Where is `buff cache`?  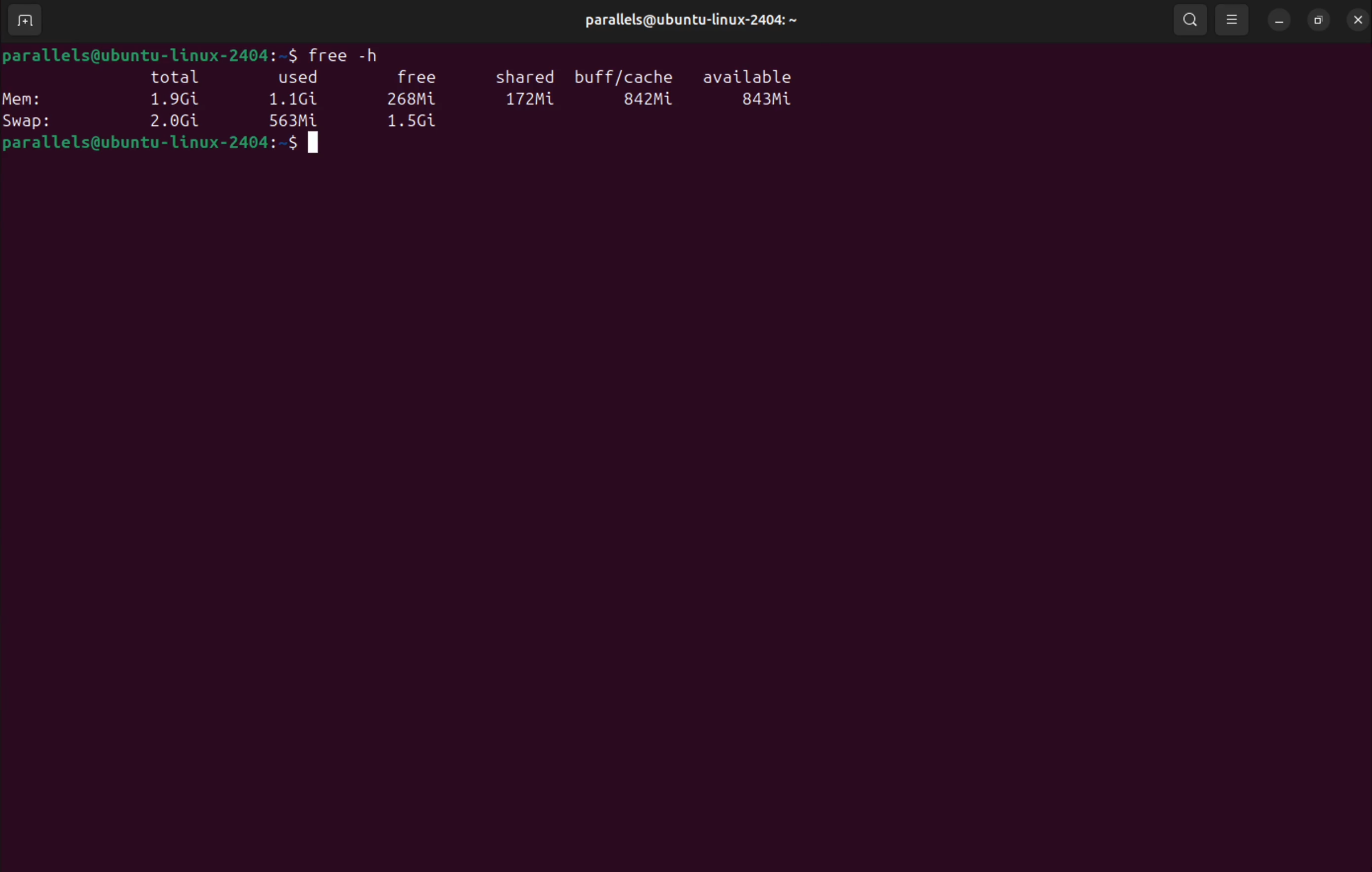 buff cache is located at coordinates (627, 74).